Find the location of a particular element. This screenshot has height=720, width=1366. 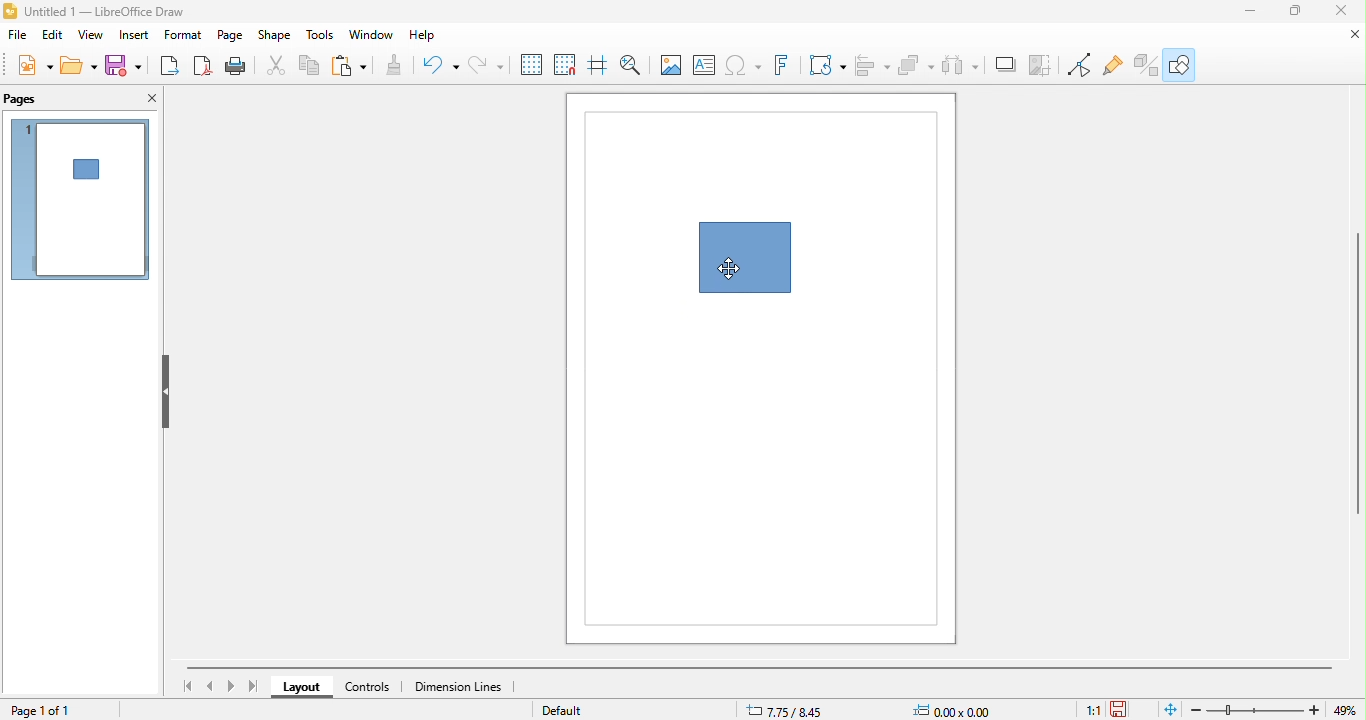

vertical scroll bar is located at coordinates (1357, 372).